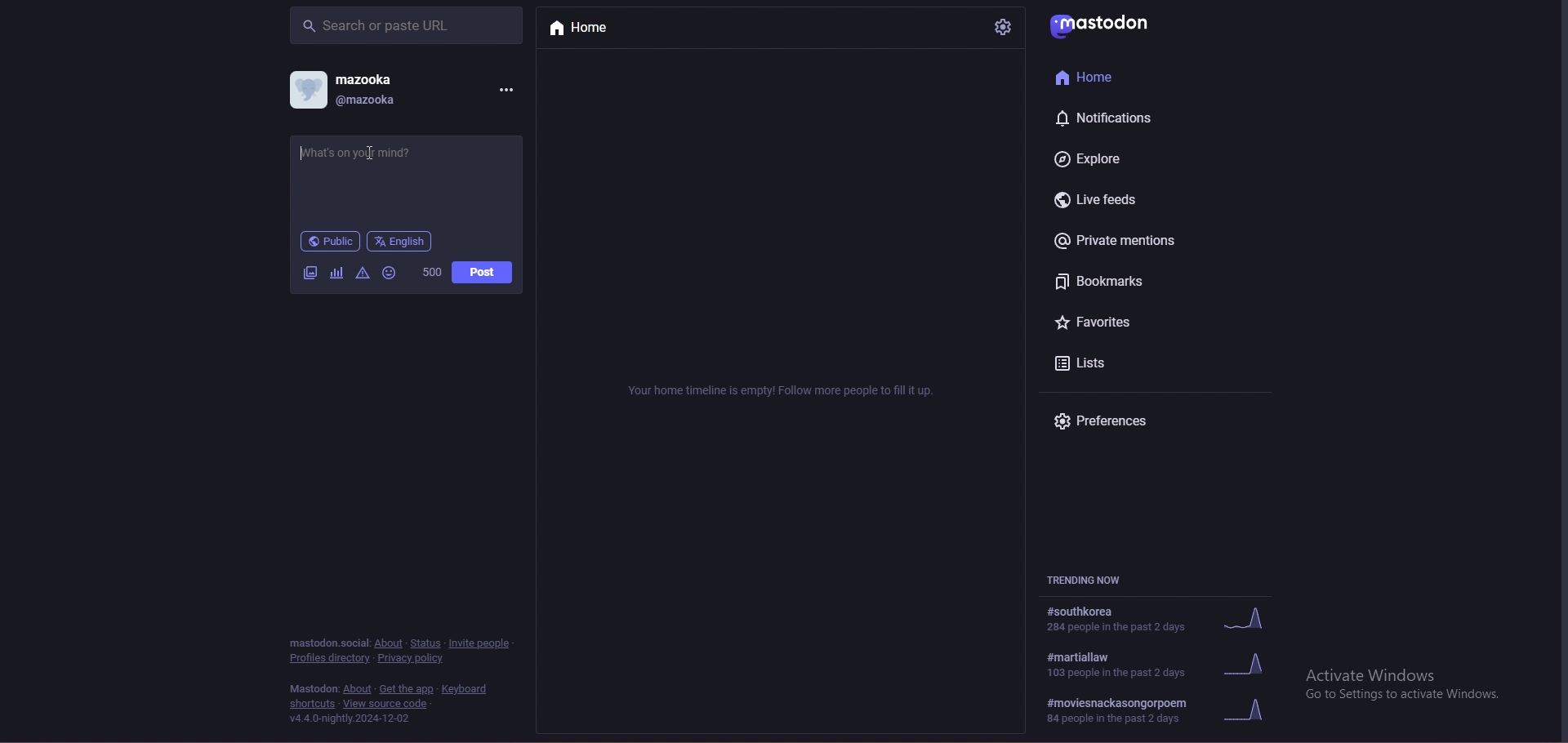 This screenshot has width=1568, height=743. Describe the element at coordinates (401, 241) in the screenshot. I see `language` at that location.